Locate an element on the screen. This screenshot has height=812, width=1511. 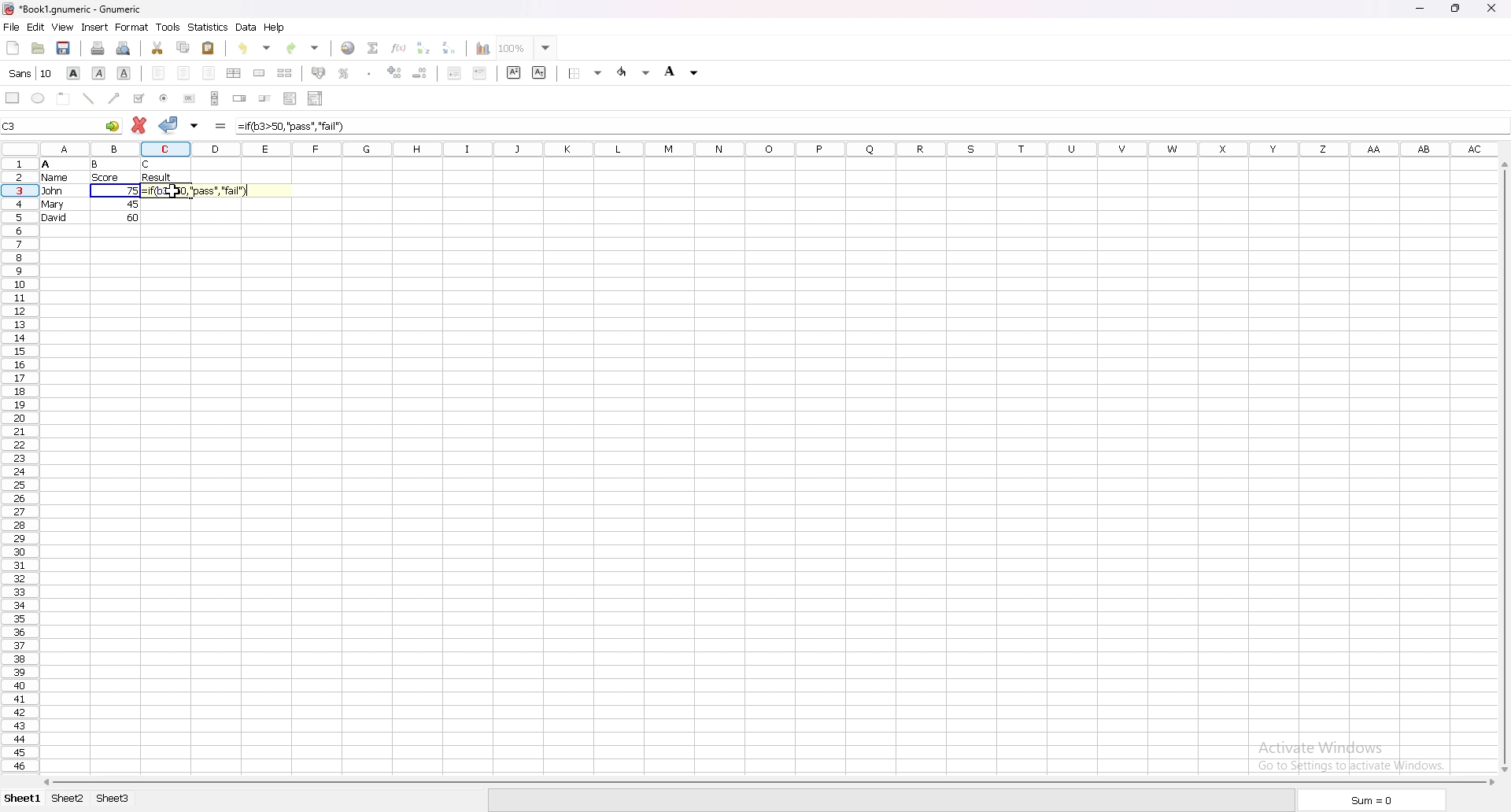
merged cell is located at coordinates (259, 74).